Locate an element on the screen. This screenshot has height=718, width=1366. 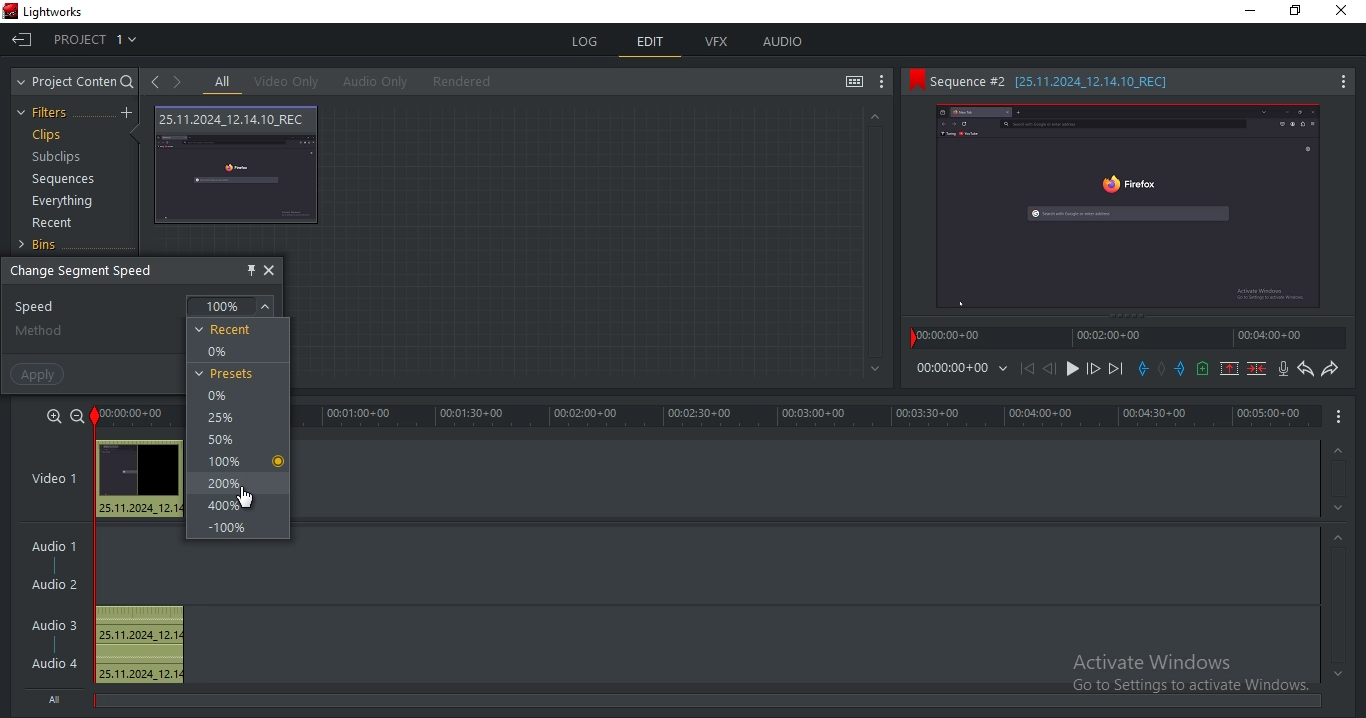
maximize is located at coordinates (1300, 12).